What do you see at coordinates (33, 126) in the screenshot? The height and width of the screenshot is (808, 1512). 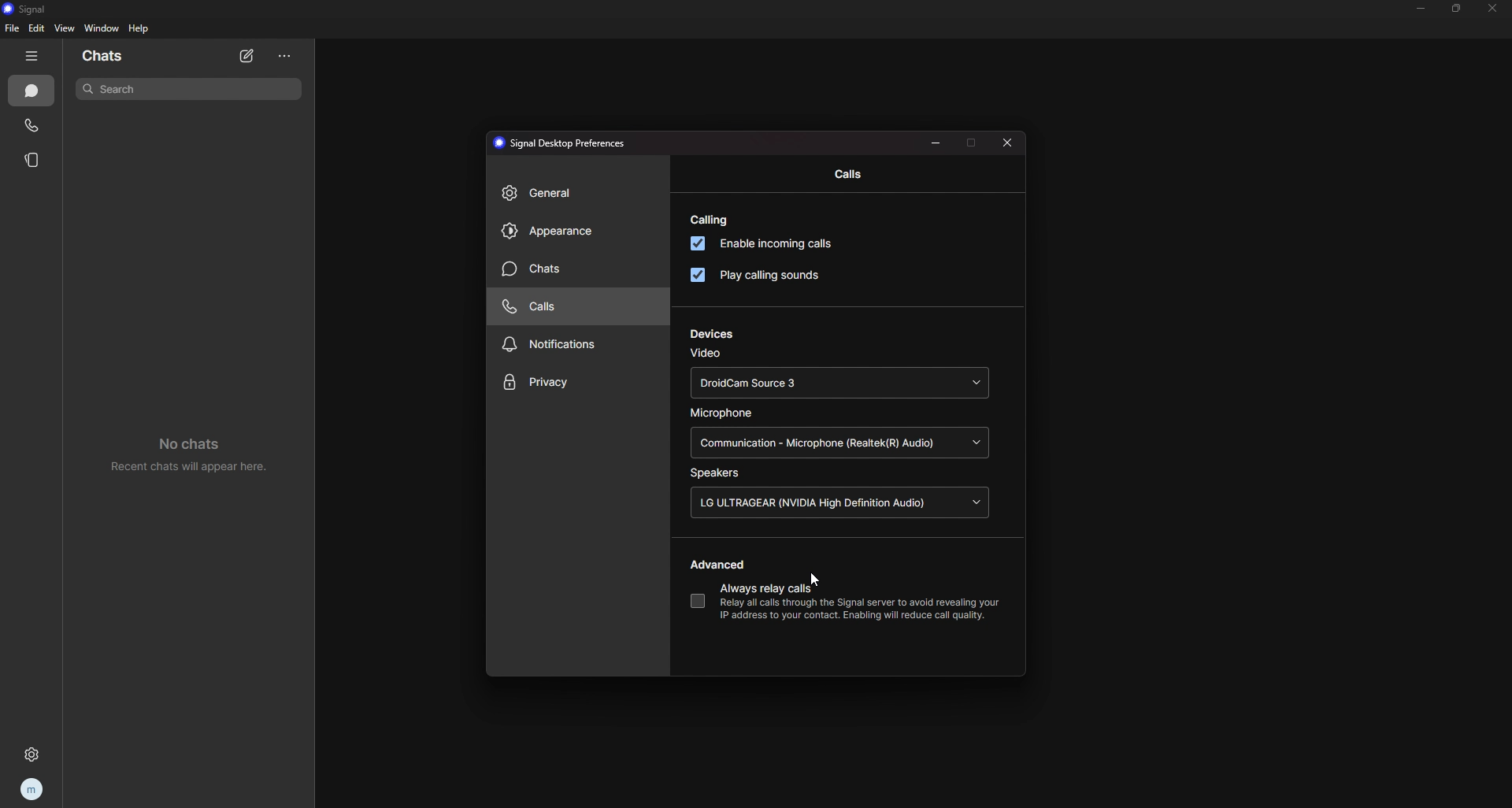 I see `calls` at bounding box center [33, 126].